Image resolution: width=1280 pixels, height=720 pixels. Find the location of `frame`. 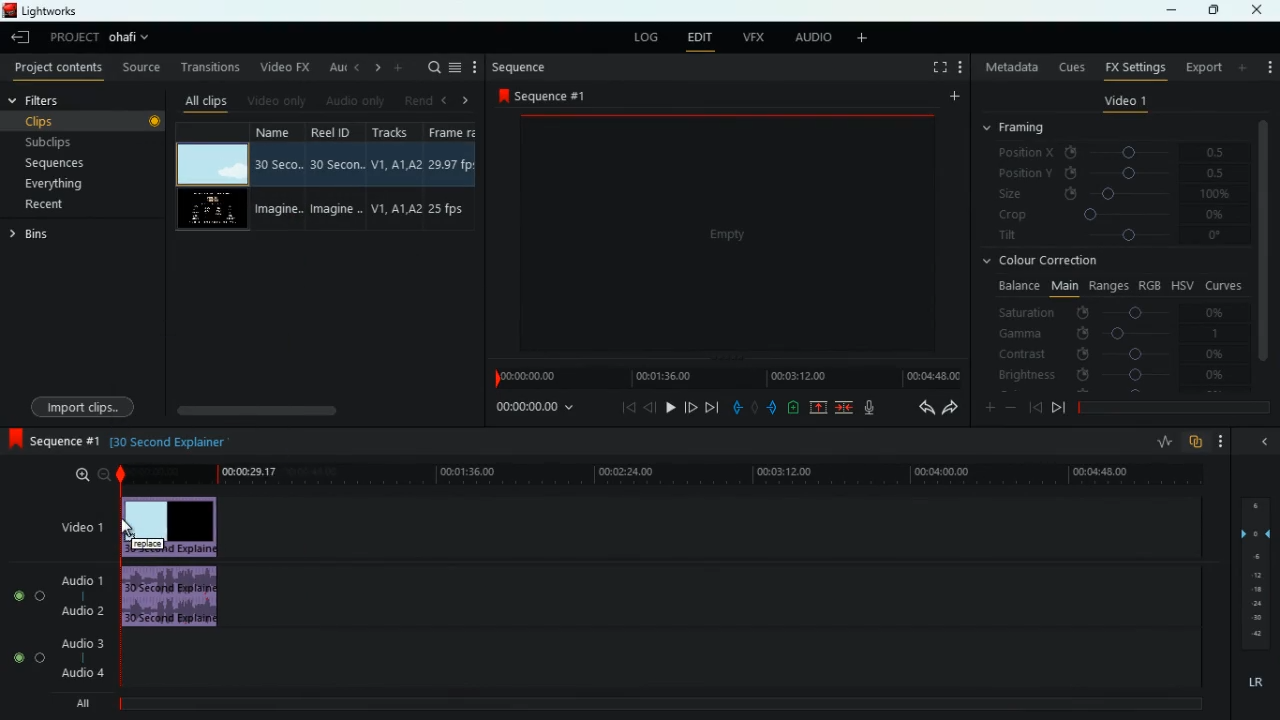

frame is located at coordinates (457, 131).